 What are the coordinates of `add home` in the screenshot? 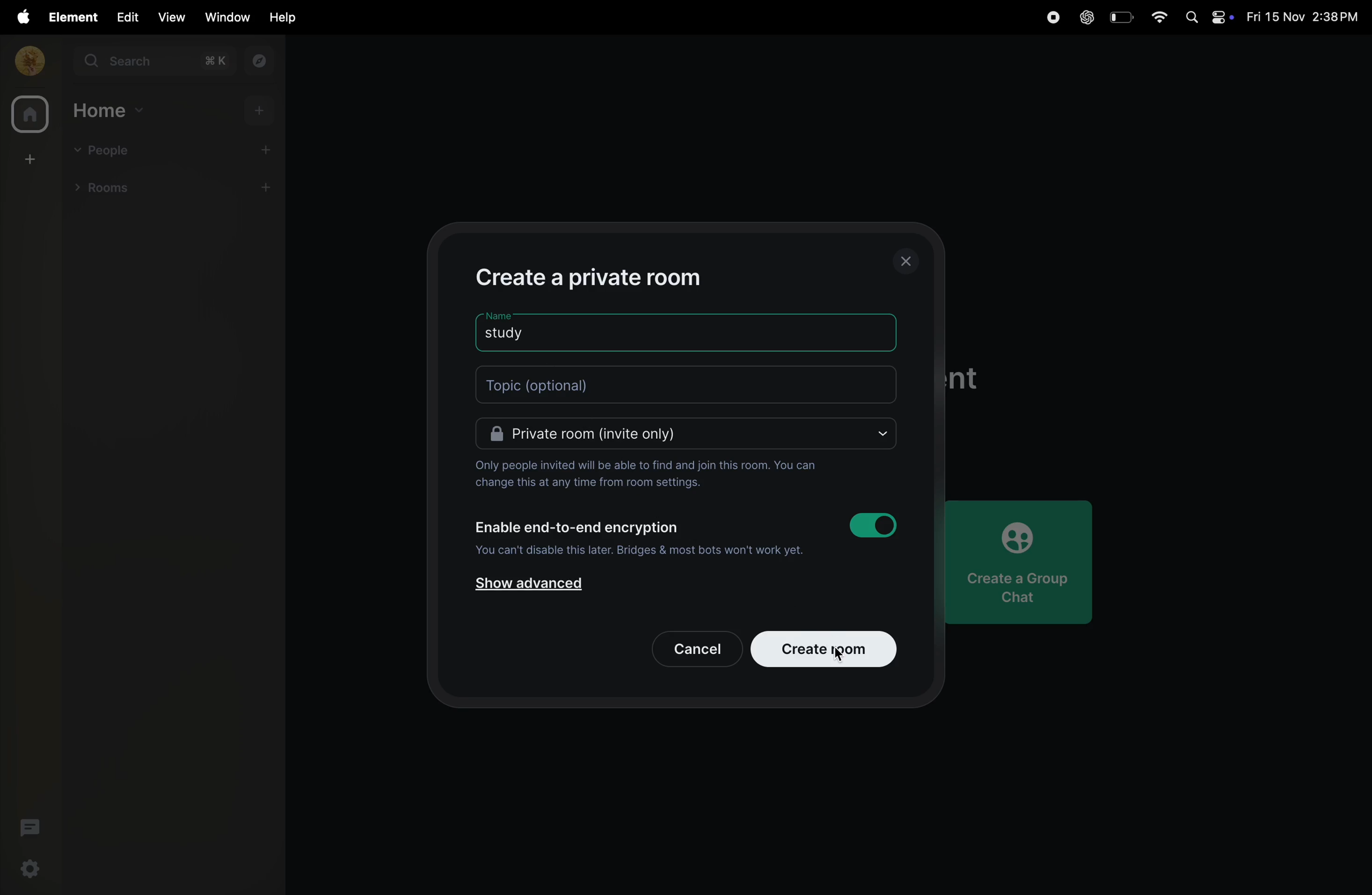 It's located at (262, 110).